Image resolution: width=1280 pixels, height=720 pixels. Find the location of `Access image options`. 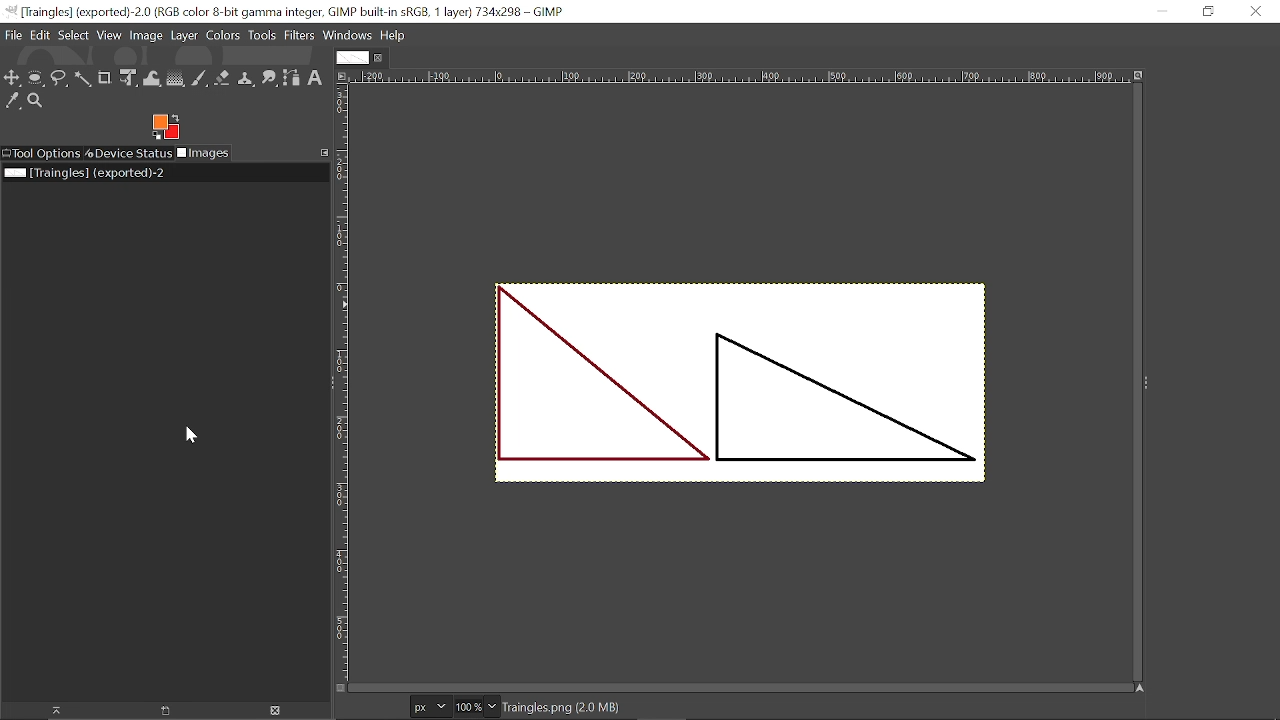

Access image options is located at coordinates (340, 75).